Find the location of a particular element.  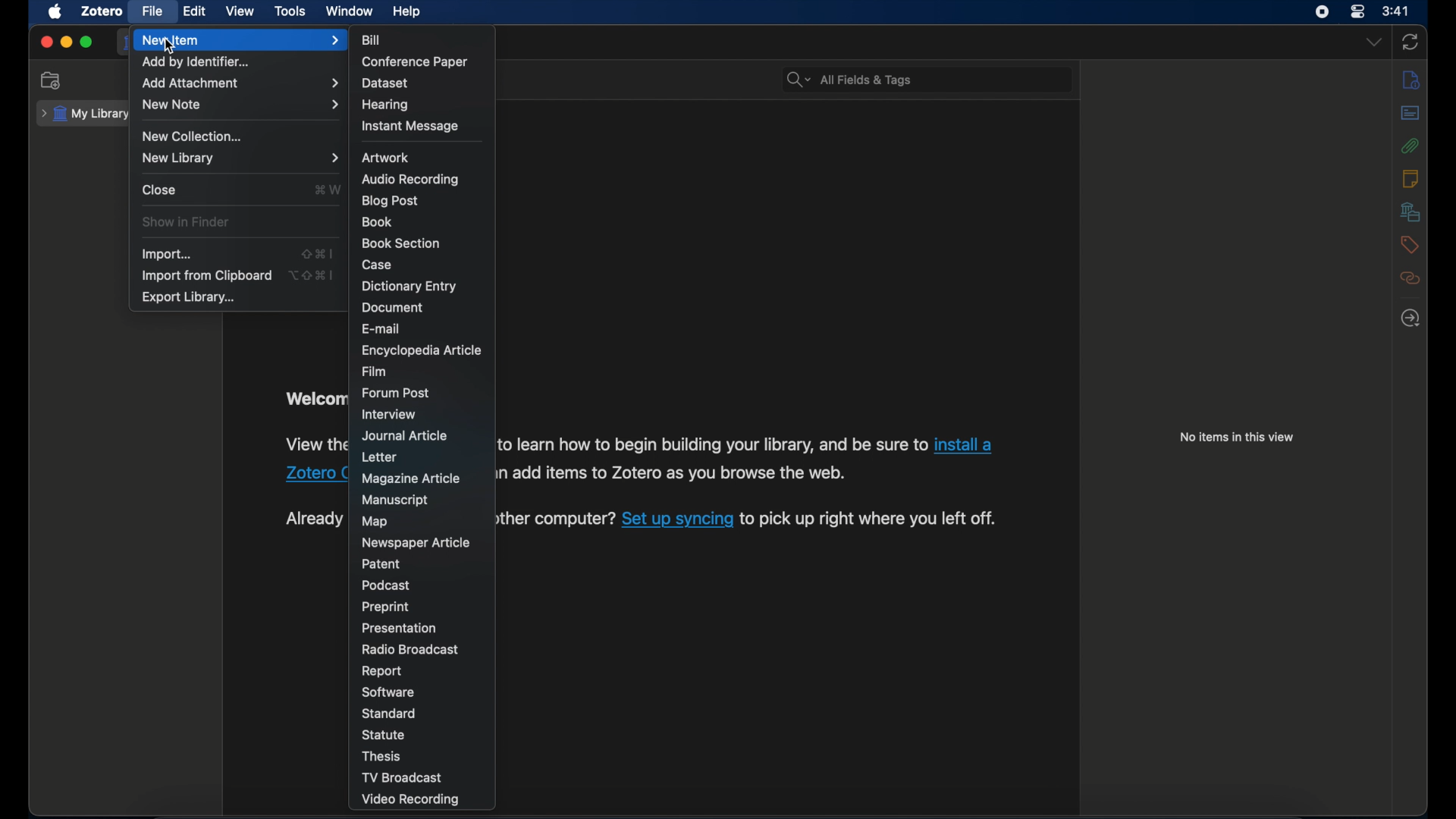

minimize is located at coordinates (67, 42).